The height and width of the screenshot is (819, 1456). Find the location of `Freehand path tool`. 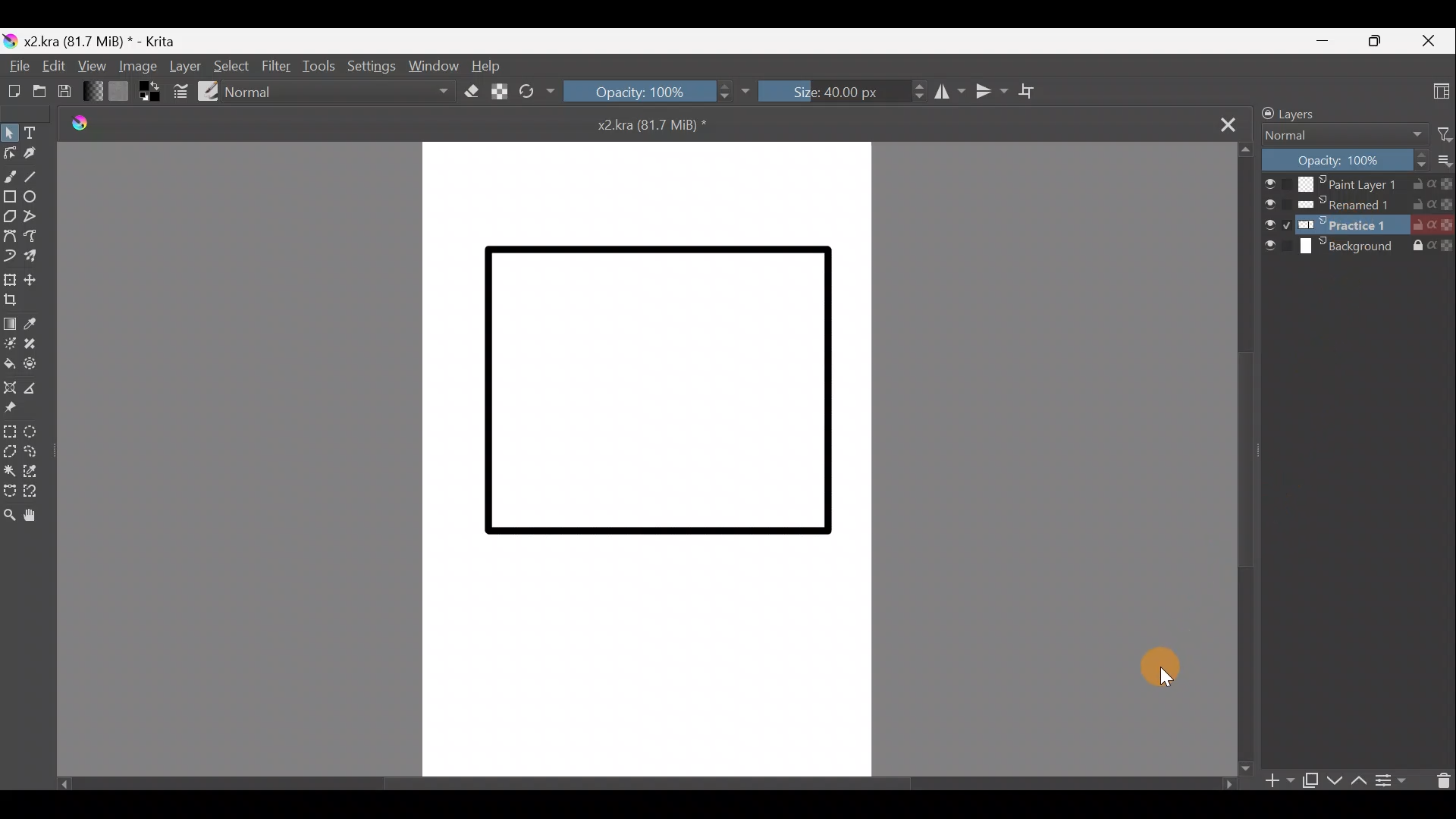

Freehand path tool is located at coordinates (37, 240).